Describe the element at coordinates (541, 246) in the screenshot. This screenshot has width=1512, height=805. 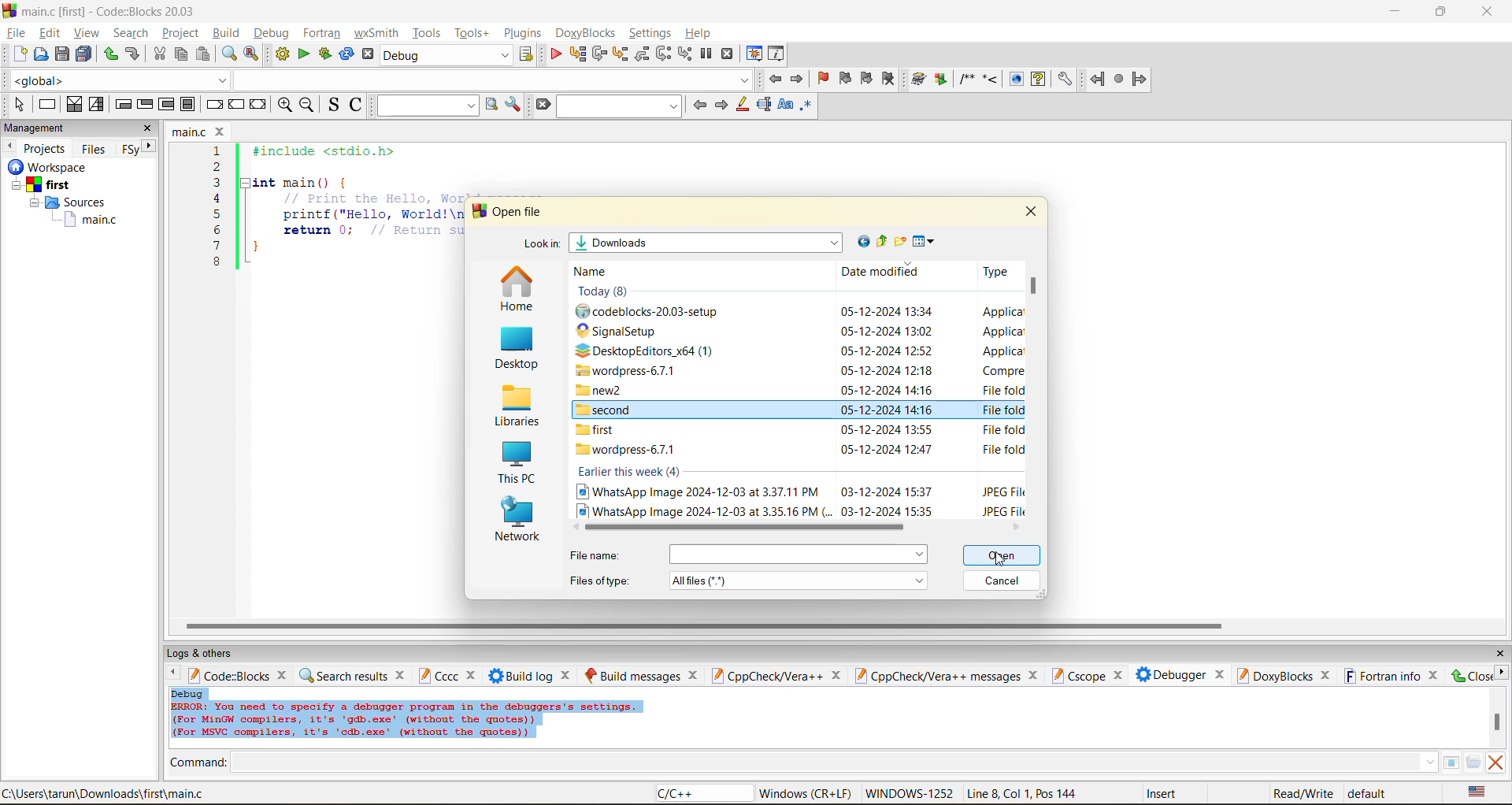
I see `look in` at that location.